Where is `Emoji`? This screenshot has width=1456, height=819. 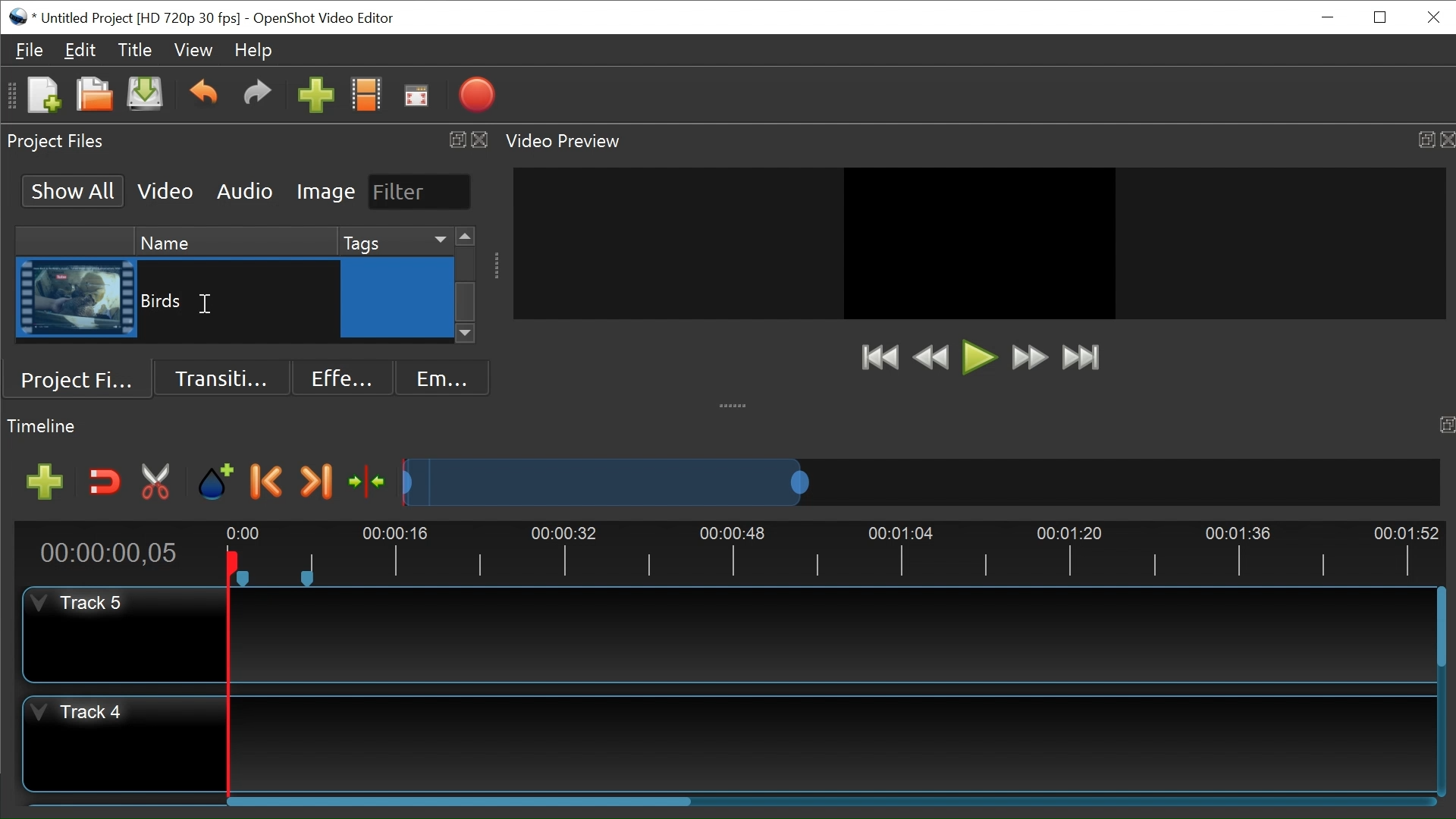
Emoji is located at coordinates (439, 377).